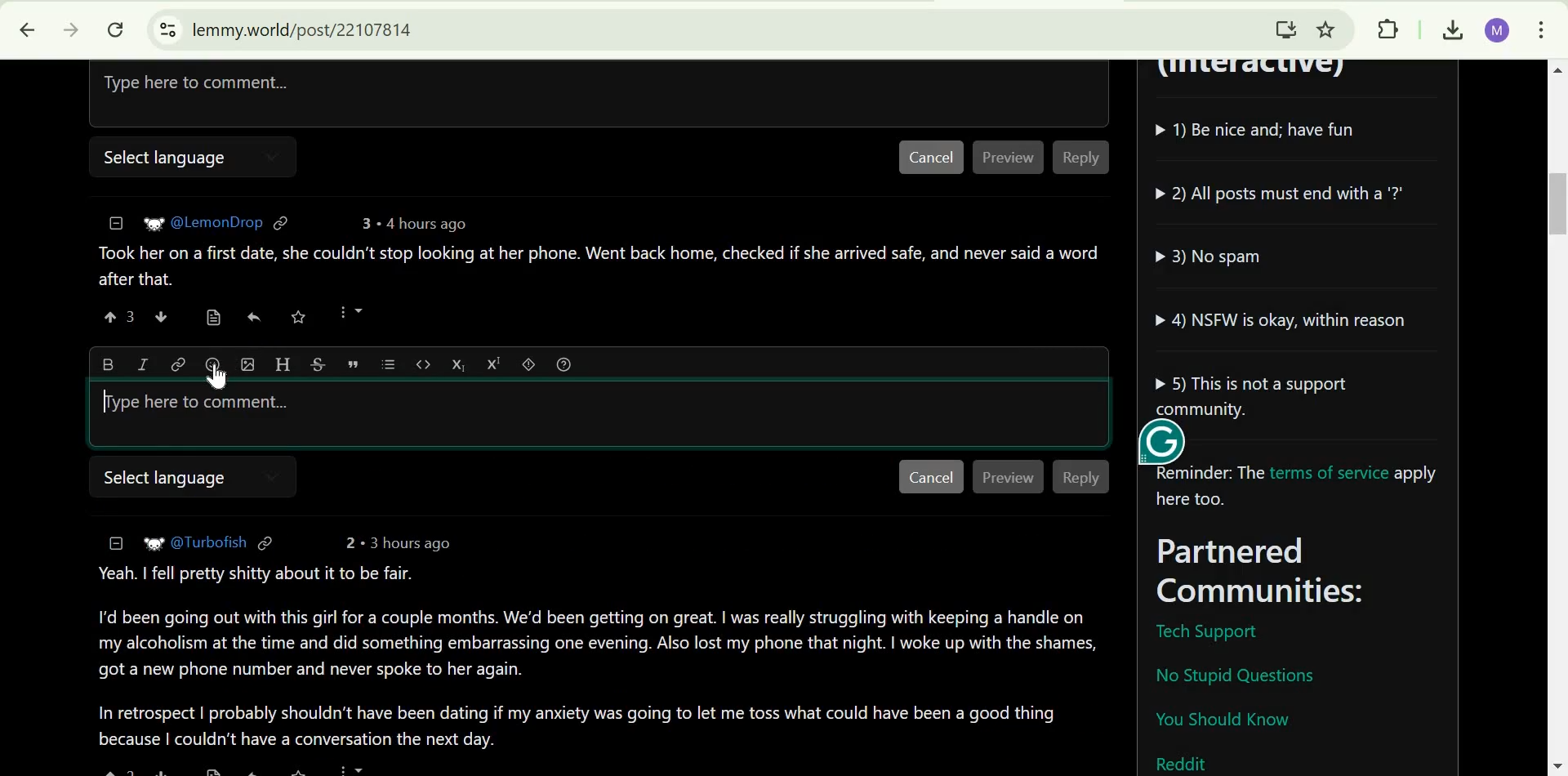 The height and width of the screenshot is (776, 1568). What do you see at coordinates (248, 363) in the screenshot?
I see `Upload imafe` at bounding box center [248, 363].